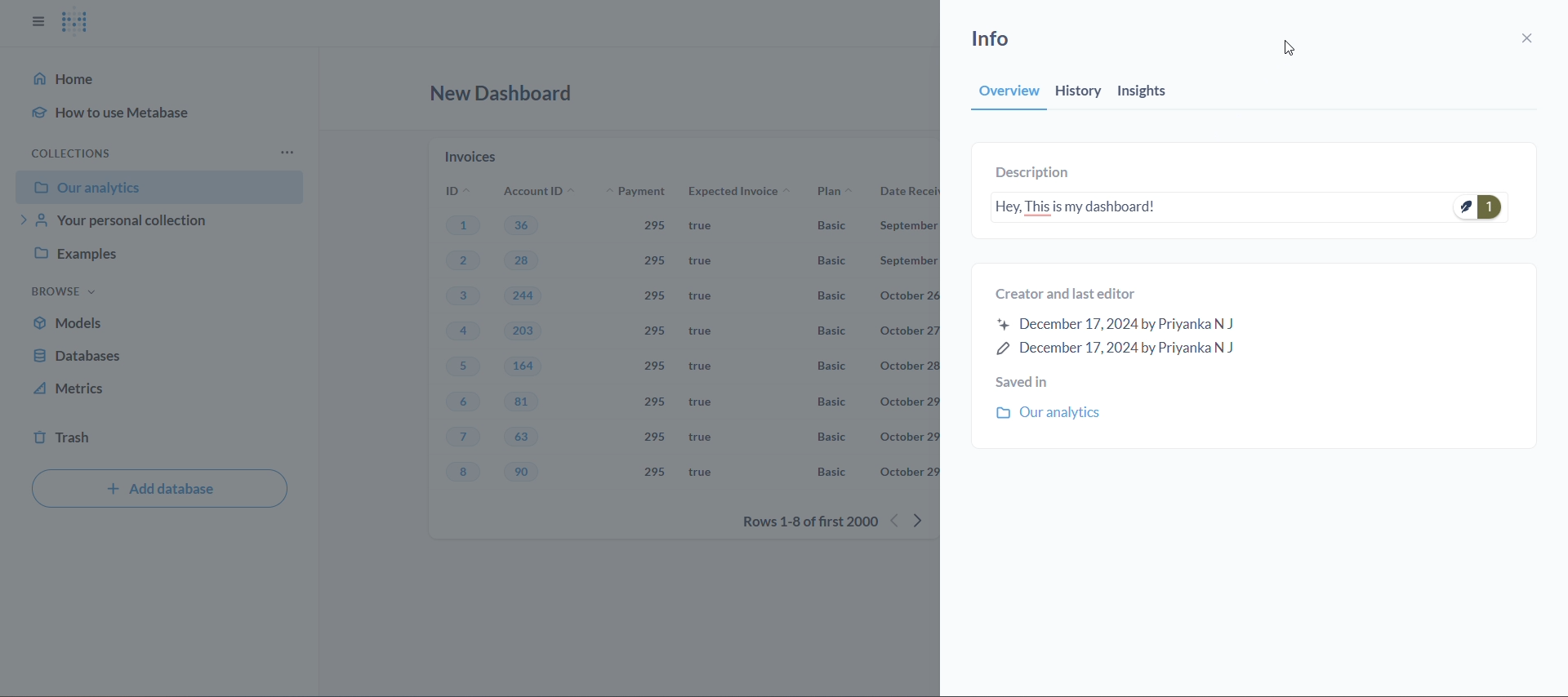  What do you see at coordinates (657, 402) in the screenshot?
I see `295` at bounding box center [657, 402].